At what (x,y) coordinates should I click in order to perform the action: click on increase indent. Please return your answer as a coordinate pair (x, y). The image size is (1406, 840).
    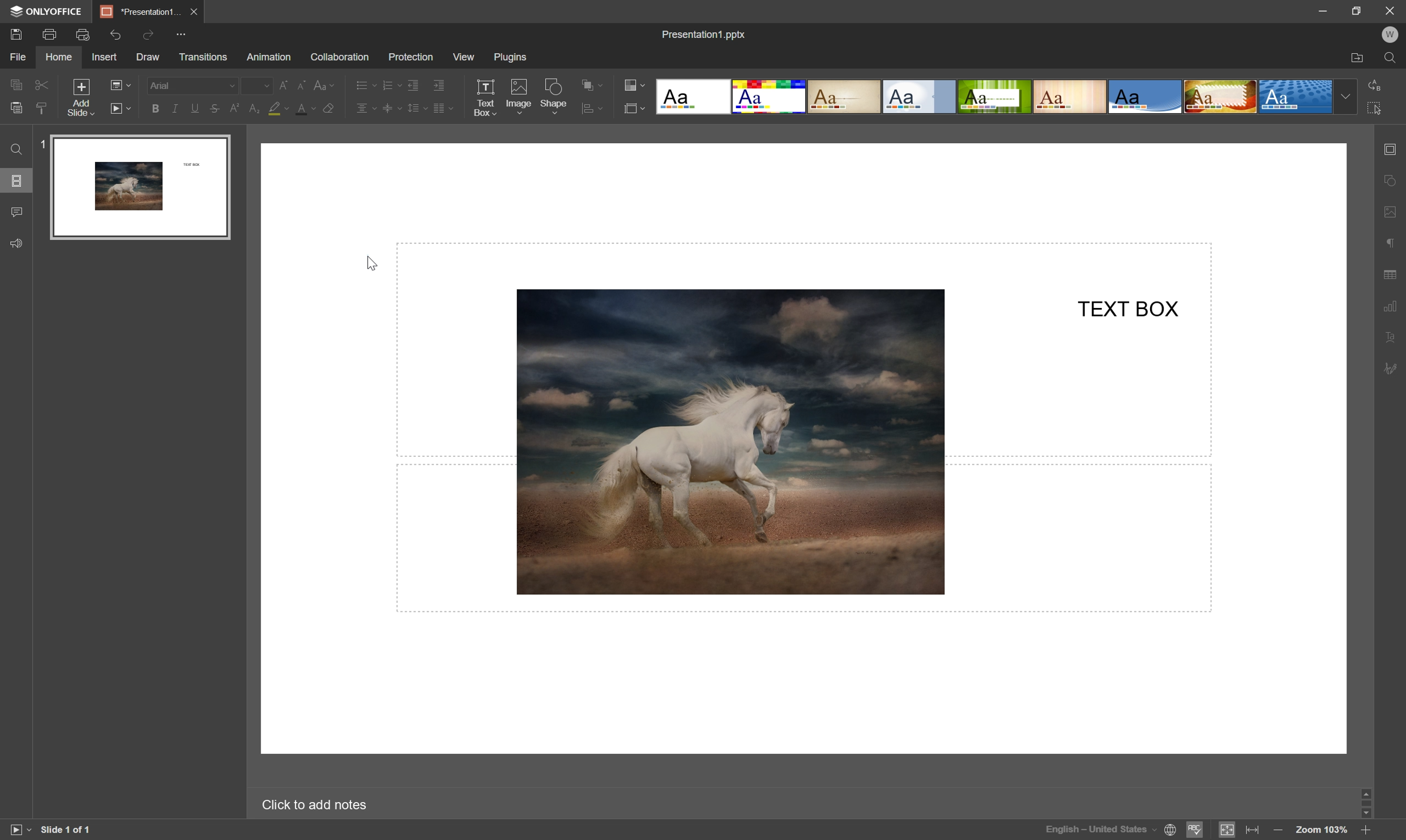
    Looking at the image, I should click on (439, 85).